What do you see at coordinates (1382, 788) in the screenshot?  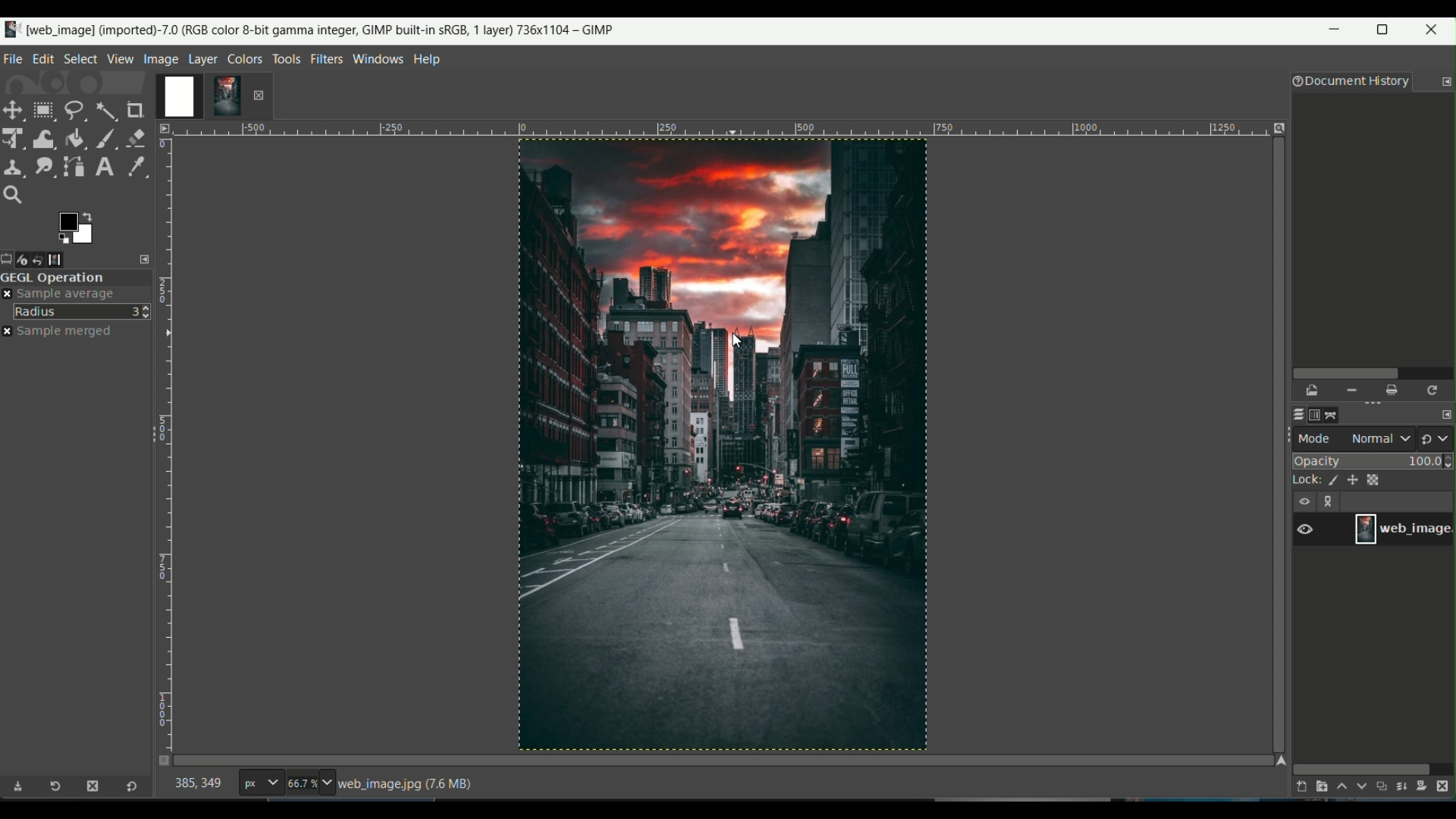 I see `create duplicate layer` at bounding box center [1382, 788].